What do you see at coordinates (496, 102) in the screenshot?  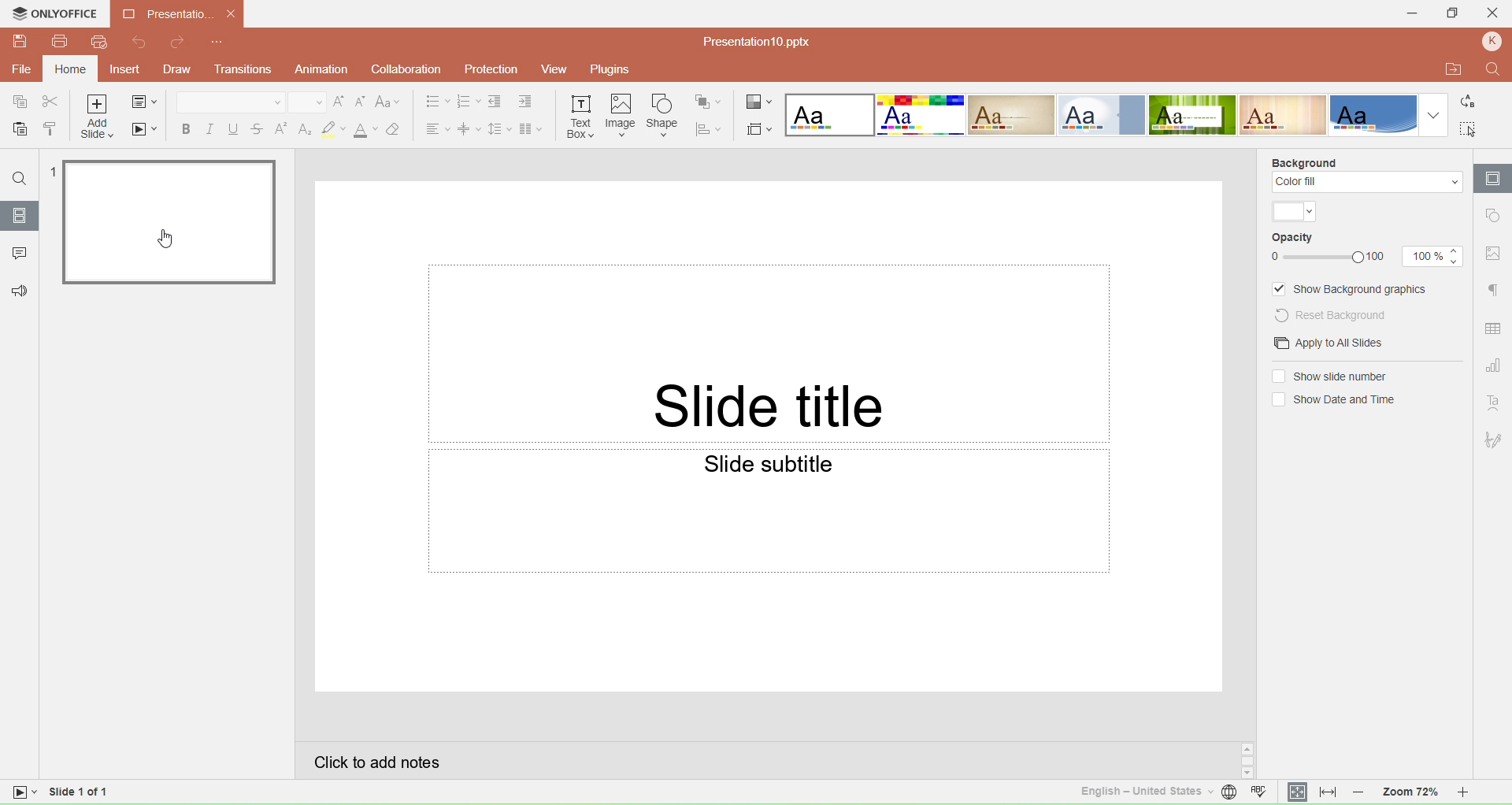 I see `Decrease indent` at bounding box center [496, 102].